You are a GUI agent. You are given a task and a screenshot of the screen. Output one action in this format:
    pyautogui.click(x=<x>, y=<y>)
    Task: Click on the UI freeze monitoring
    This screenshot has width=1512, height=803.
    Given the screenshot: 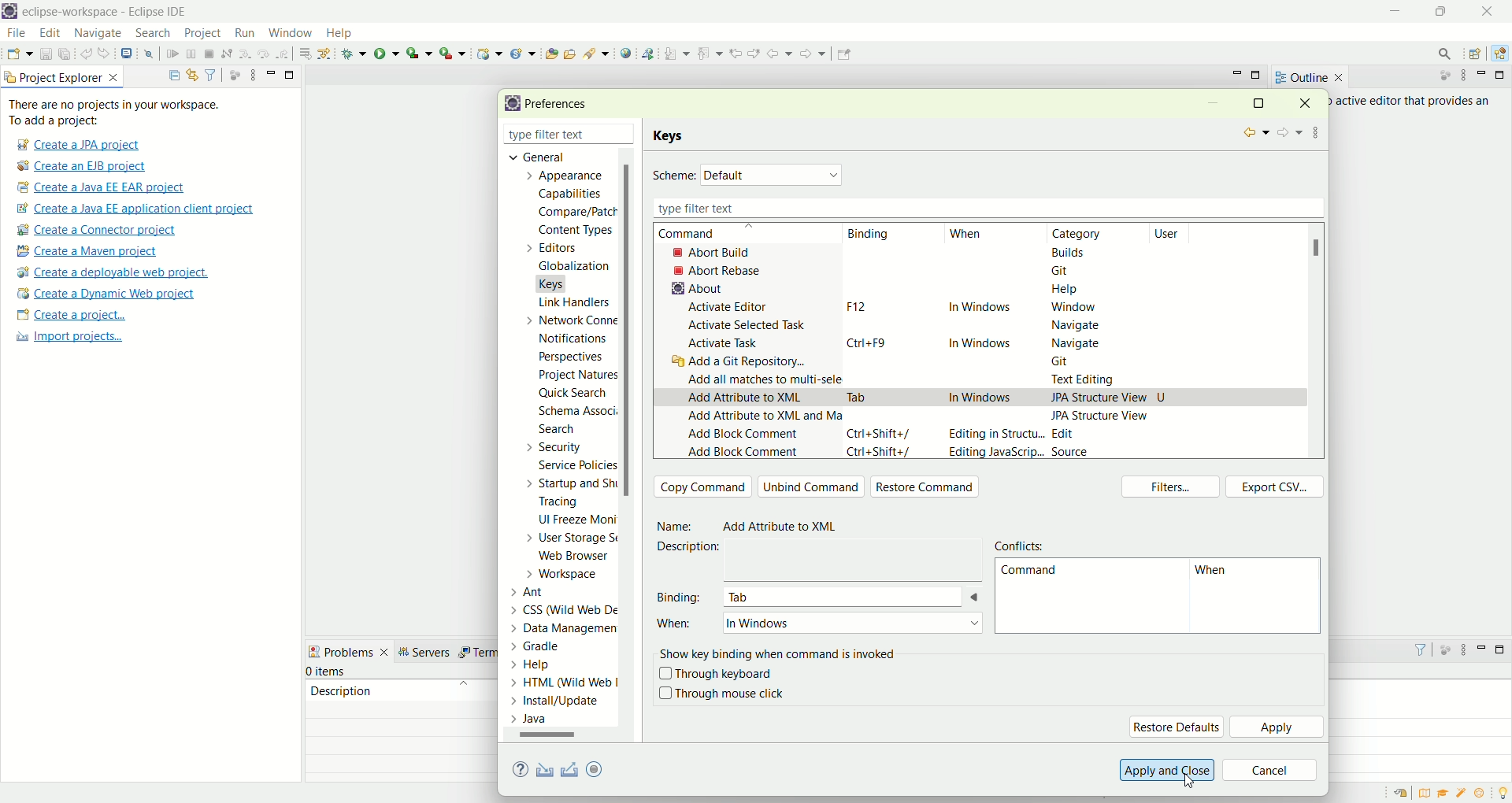 What is the action you would take?
    pyautogui.click(x=576, y=521)
    